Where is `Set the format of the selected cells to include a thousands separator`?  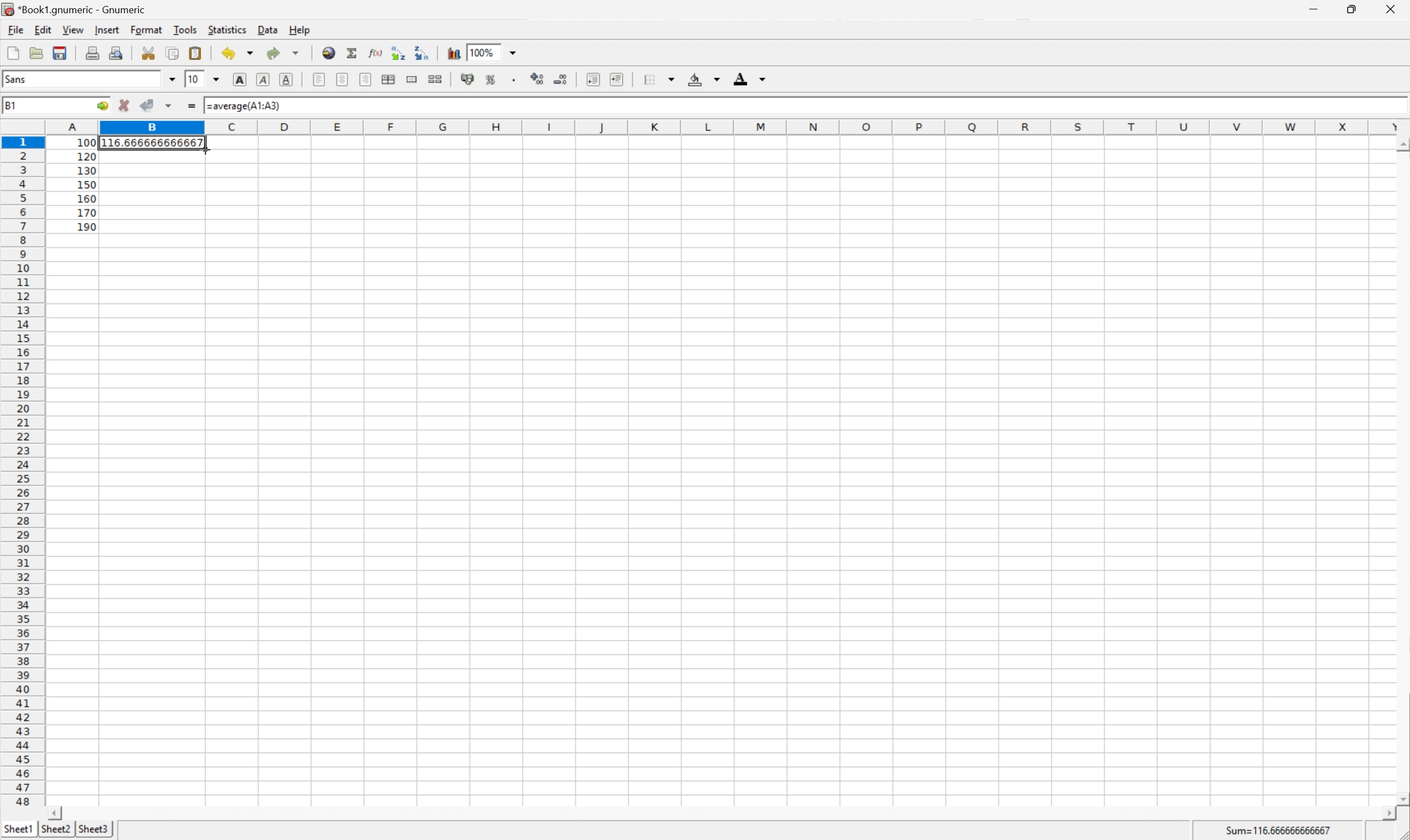 Set the format of the selected cells to include a thousands separator is located at coordinates (516, 79).